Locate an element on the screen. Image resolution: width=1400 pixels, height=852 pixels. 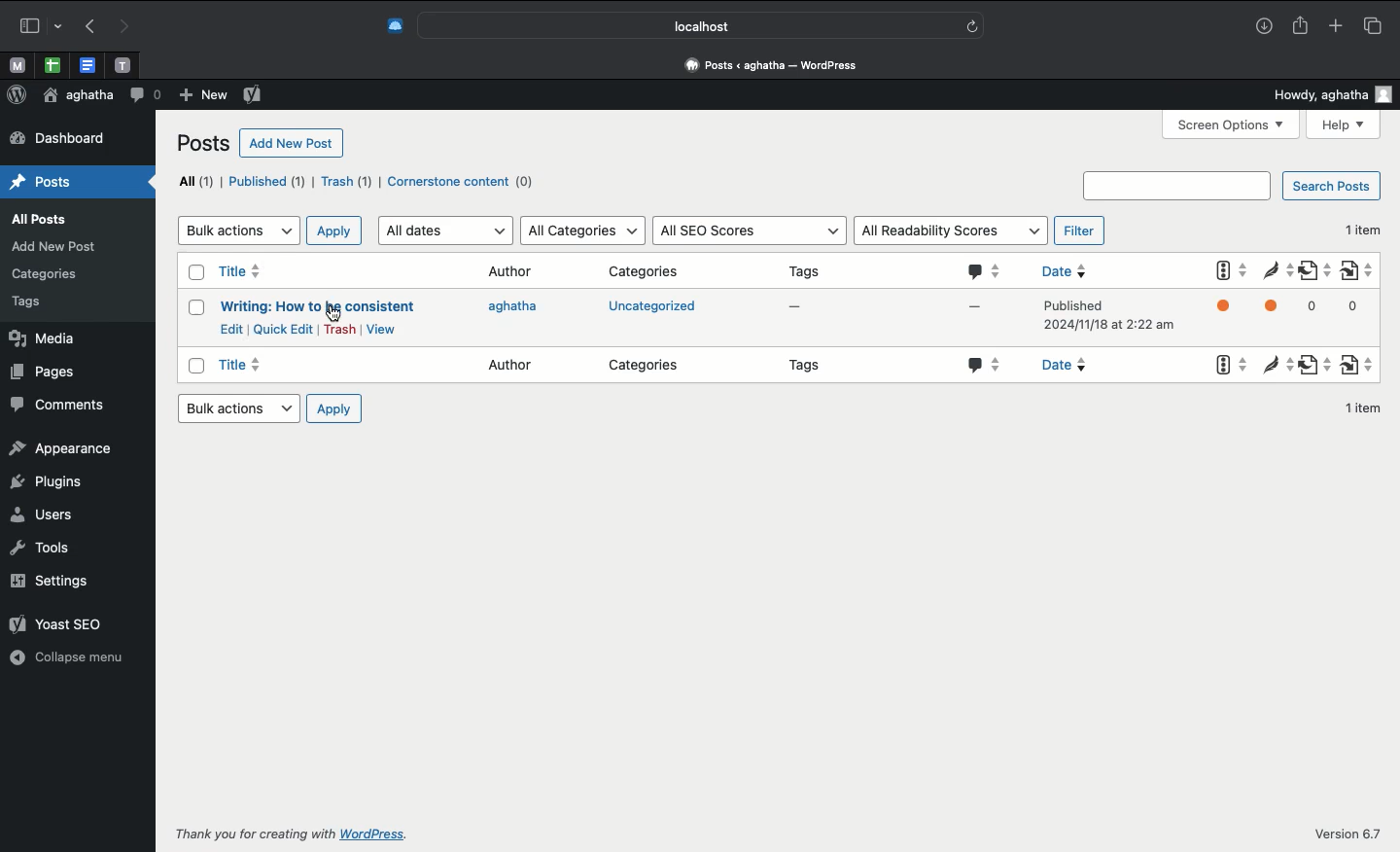
Apply is located at coordinates (333, 408).